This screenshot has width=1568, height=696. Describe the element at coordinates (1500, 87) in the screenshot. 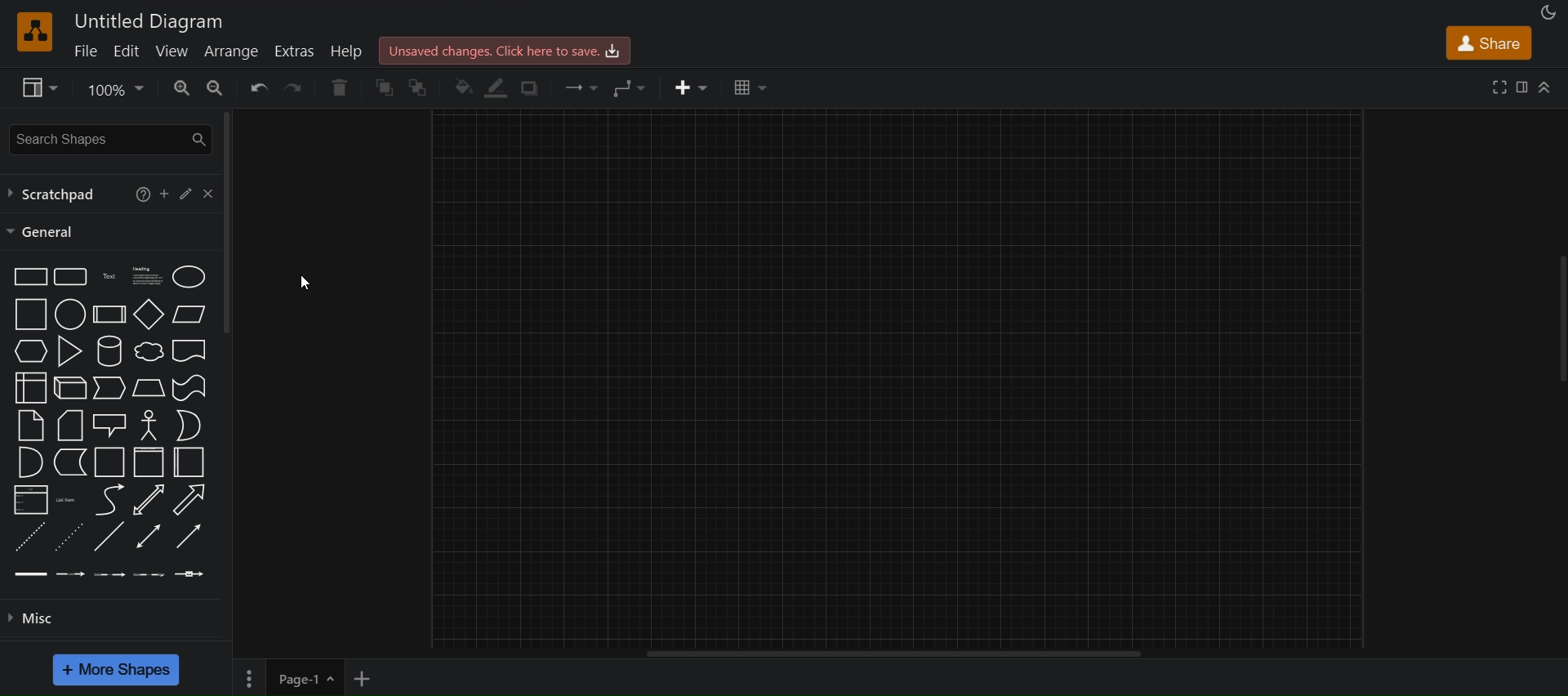

I see `fullscreen` at that location.